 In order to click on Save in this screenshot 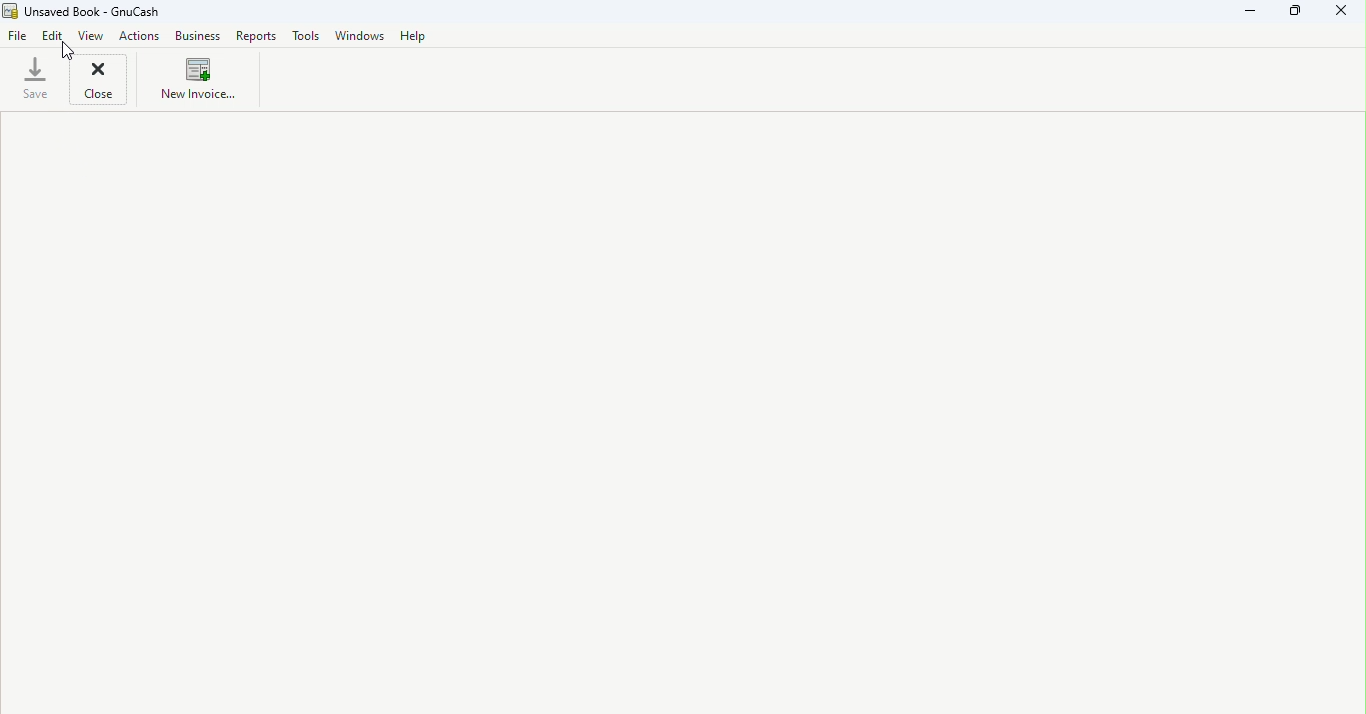, I will do `click(36, 79)`.